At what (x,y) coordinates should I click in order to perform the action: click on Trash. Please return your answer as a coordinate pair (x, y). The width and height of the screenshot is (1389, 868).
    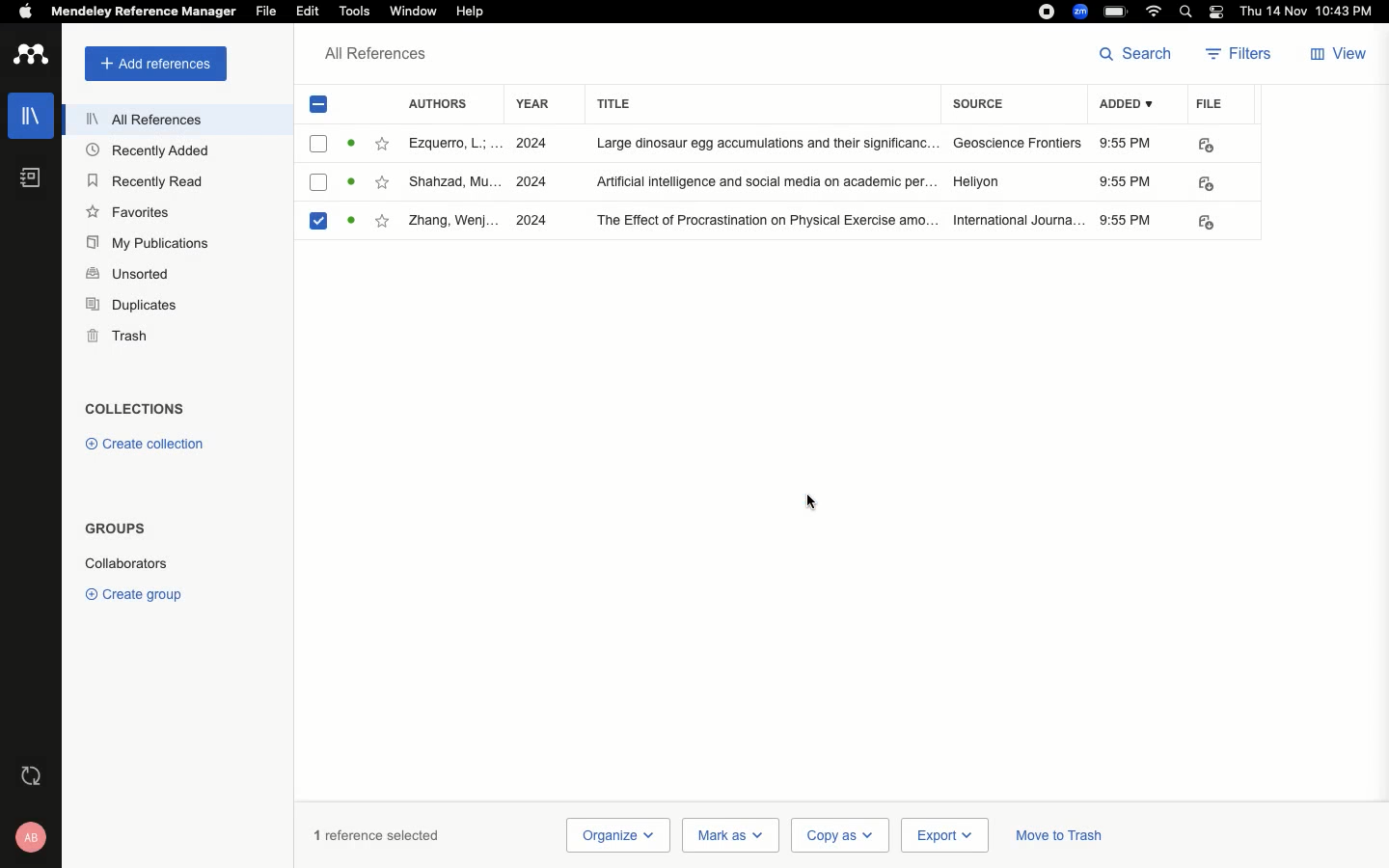
    Looking at the image, I should click on (118, 336).